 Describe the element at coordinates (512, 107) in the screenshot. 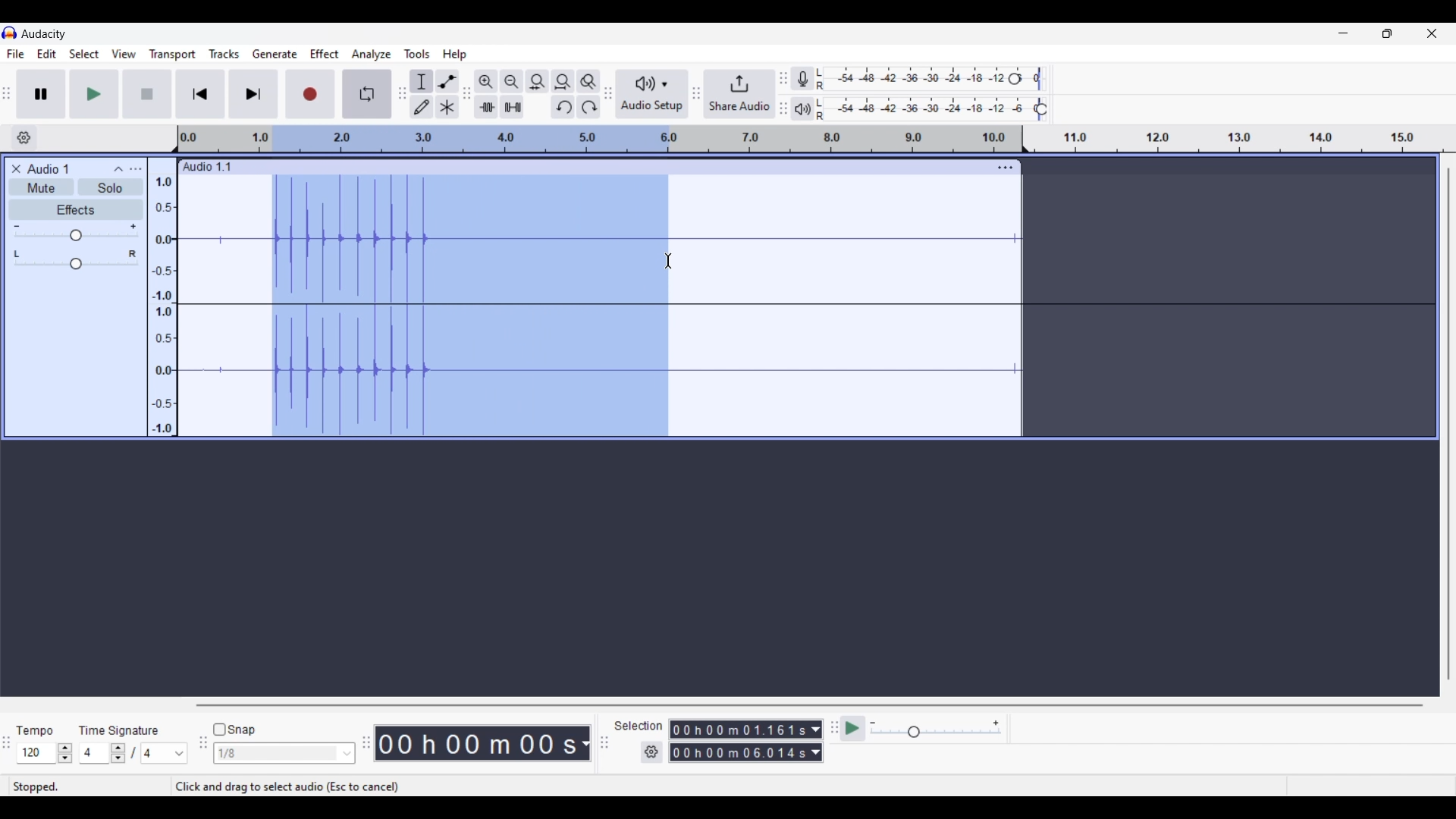

I see `Silence audio selection` at that location.